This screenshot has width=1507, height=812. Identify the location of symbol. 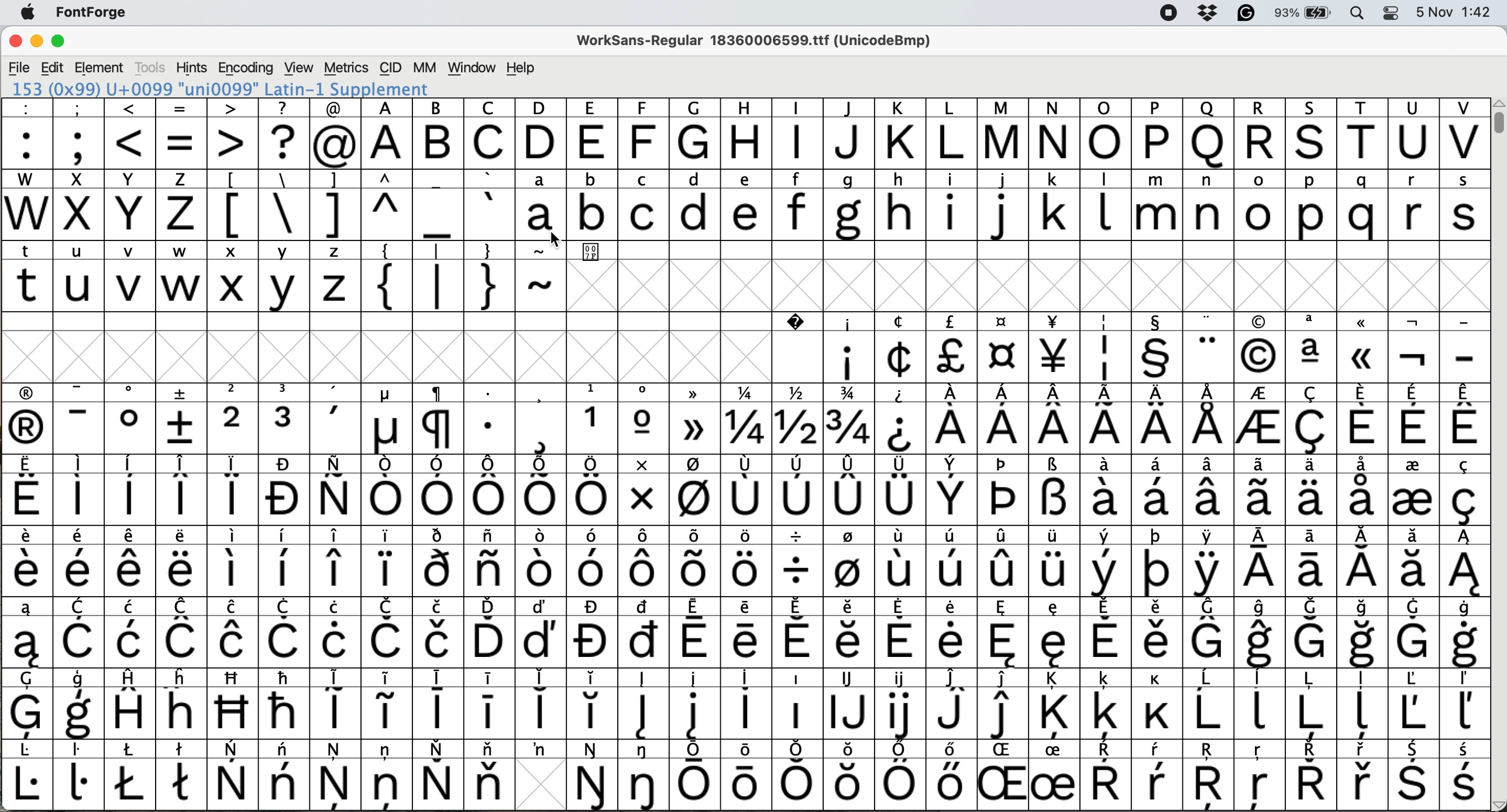
(1412, 703).